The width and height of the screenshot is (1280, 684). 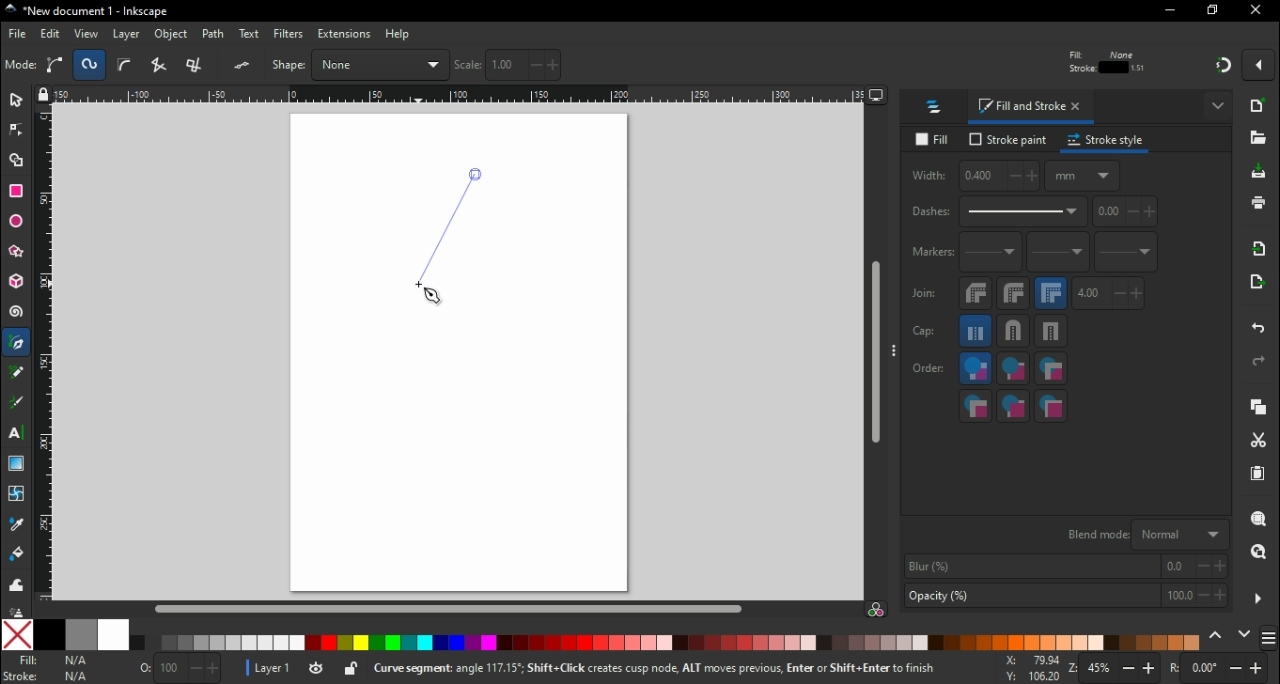 I want to click on max length of miter, so click(x=1110, y=297).